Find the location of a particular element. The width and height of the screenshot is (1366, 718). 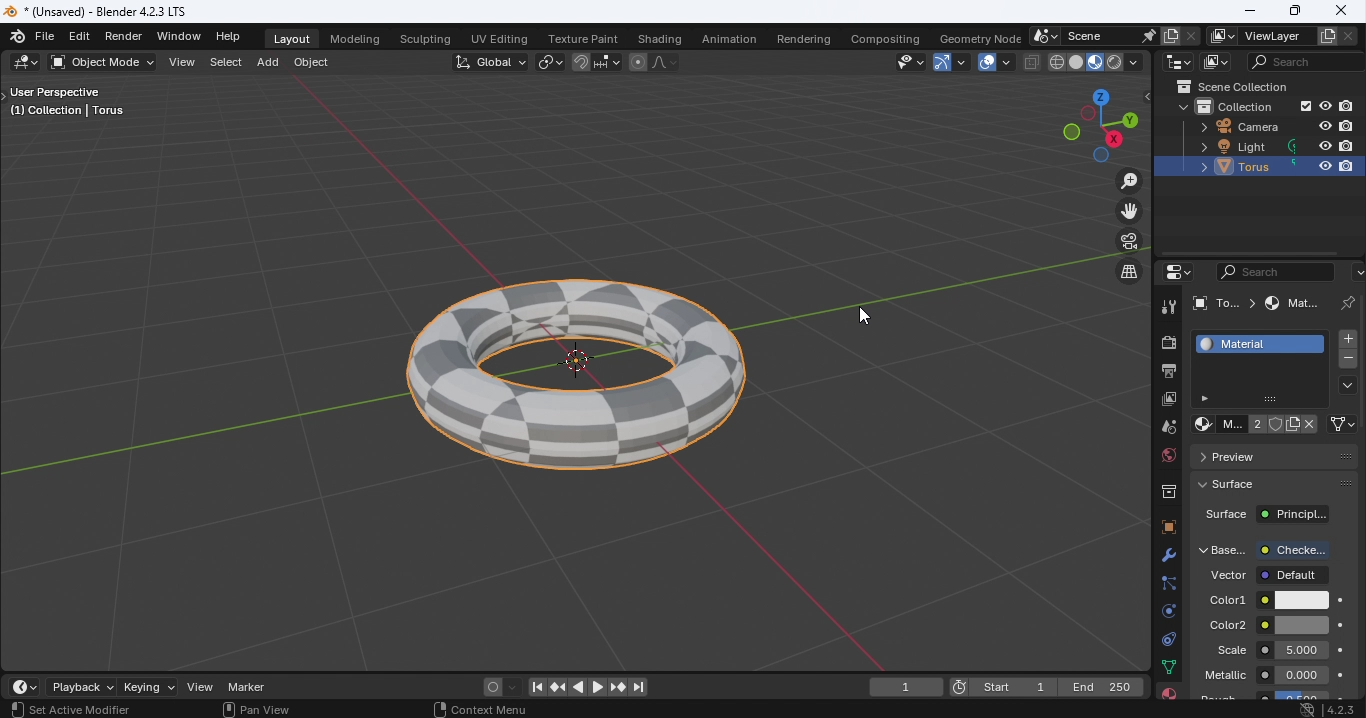

Remove material slot is located at coordinates (1347, 361).